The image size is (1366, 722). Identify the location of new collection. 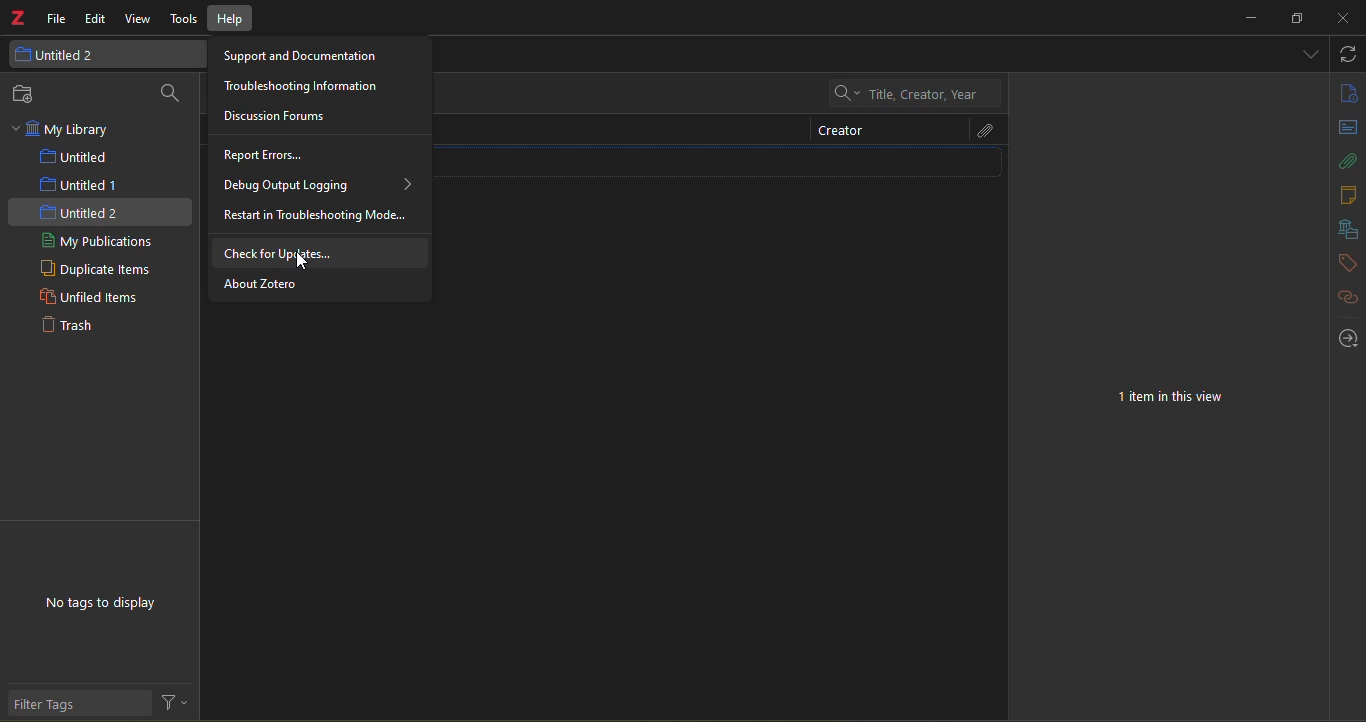
(28, 94).